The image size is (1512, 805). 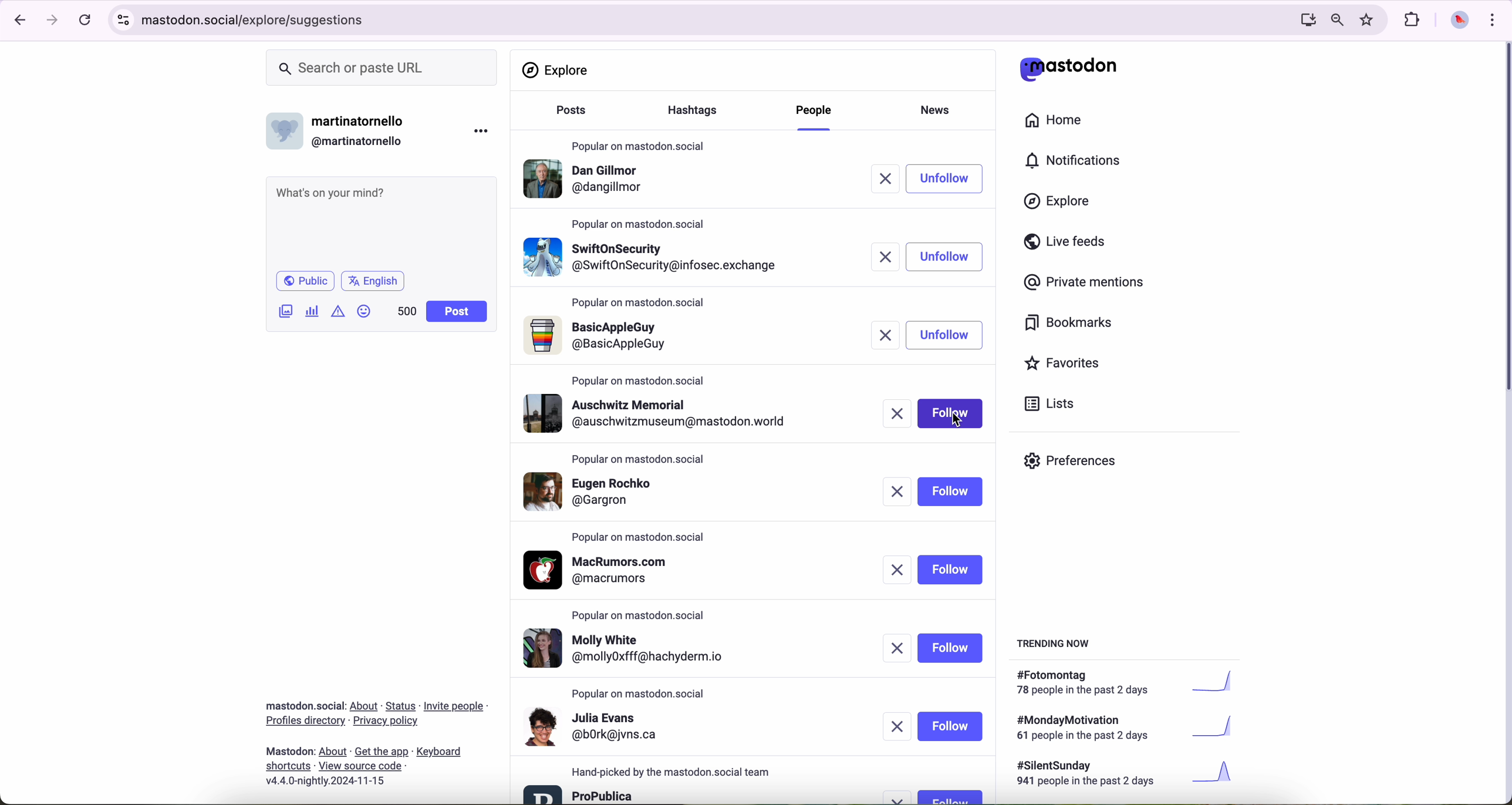 I want to click on navigate foward, so click(x=53, y=21).